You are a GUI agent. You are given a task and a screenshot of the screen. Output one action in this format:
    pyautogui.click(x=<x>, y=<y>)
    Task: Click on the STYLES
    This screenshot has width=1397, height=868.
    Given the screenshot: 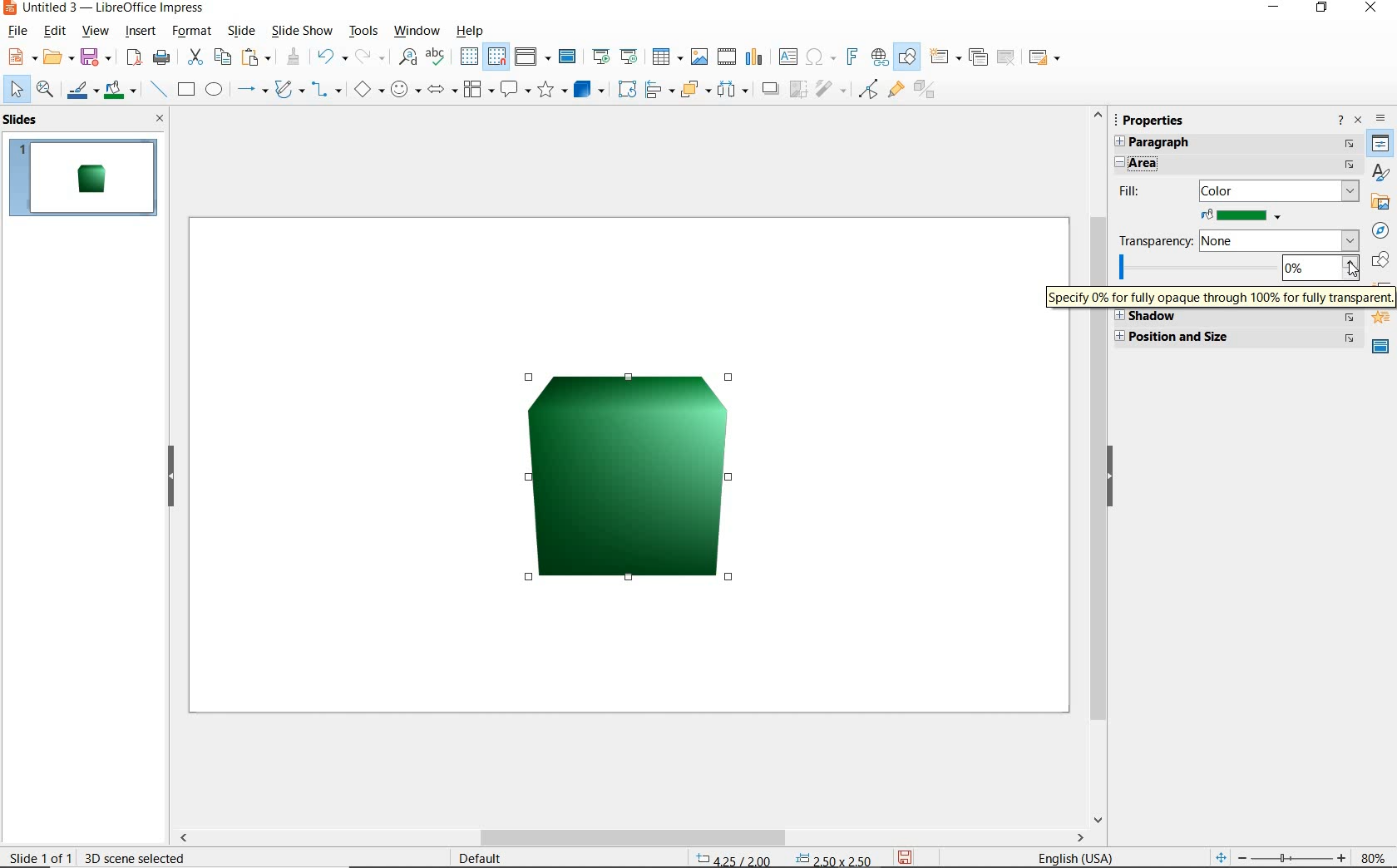 What is the action you would take?
    pyautogui.click(x=1380, y=175)
    